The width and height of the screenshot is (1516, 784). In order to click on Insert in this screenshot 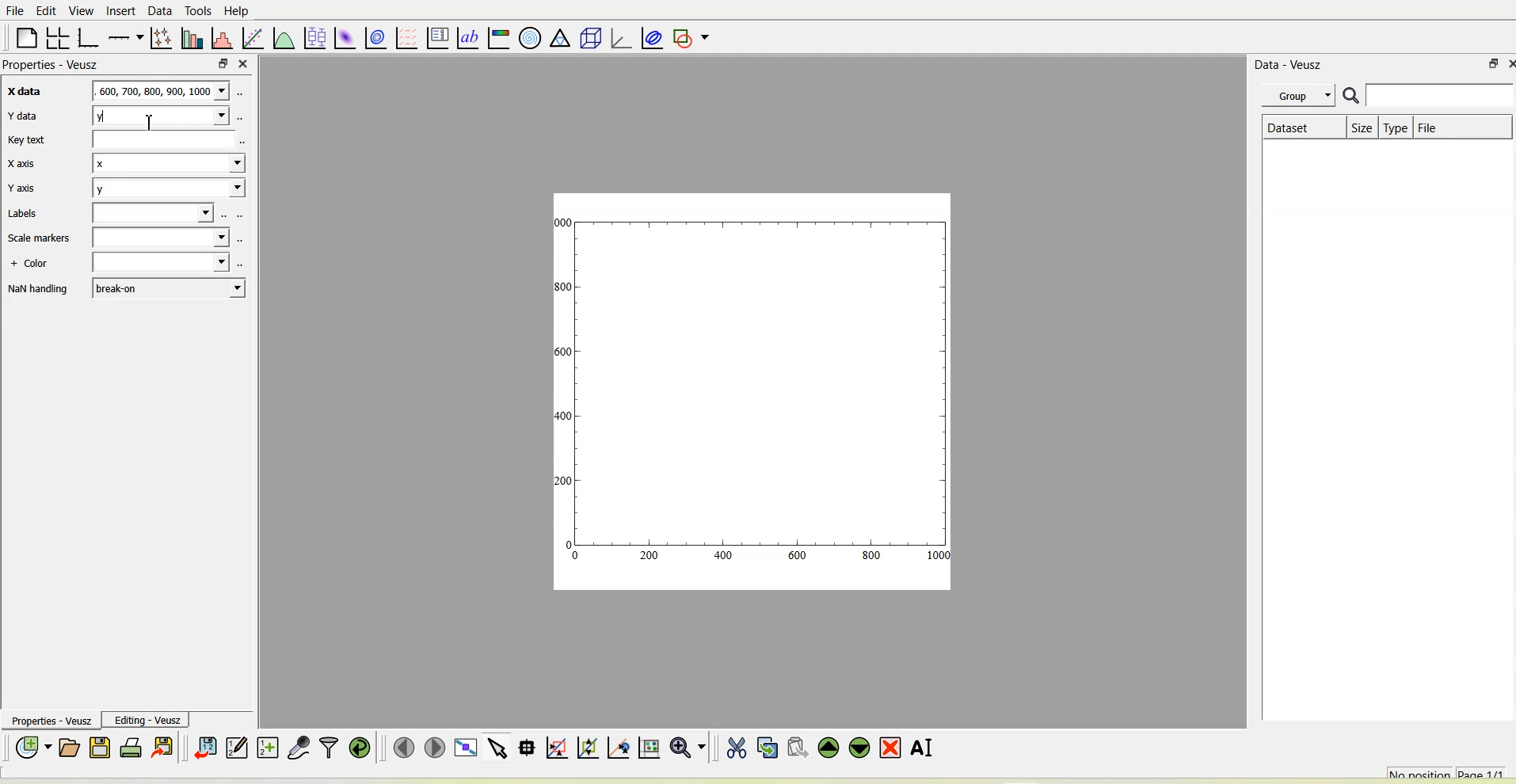, I will do `click(120, 10)`.